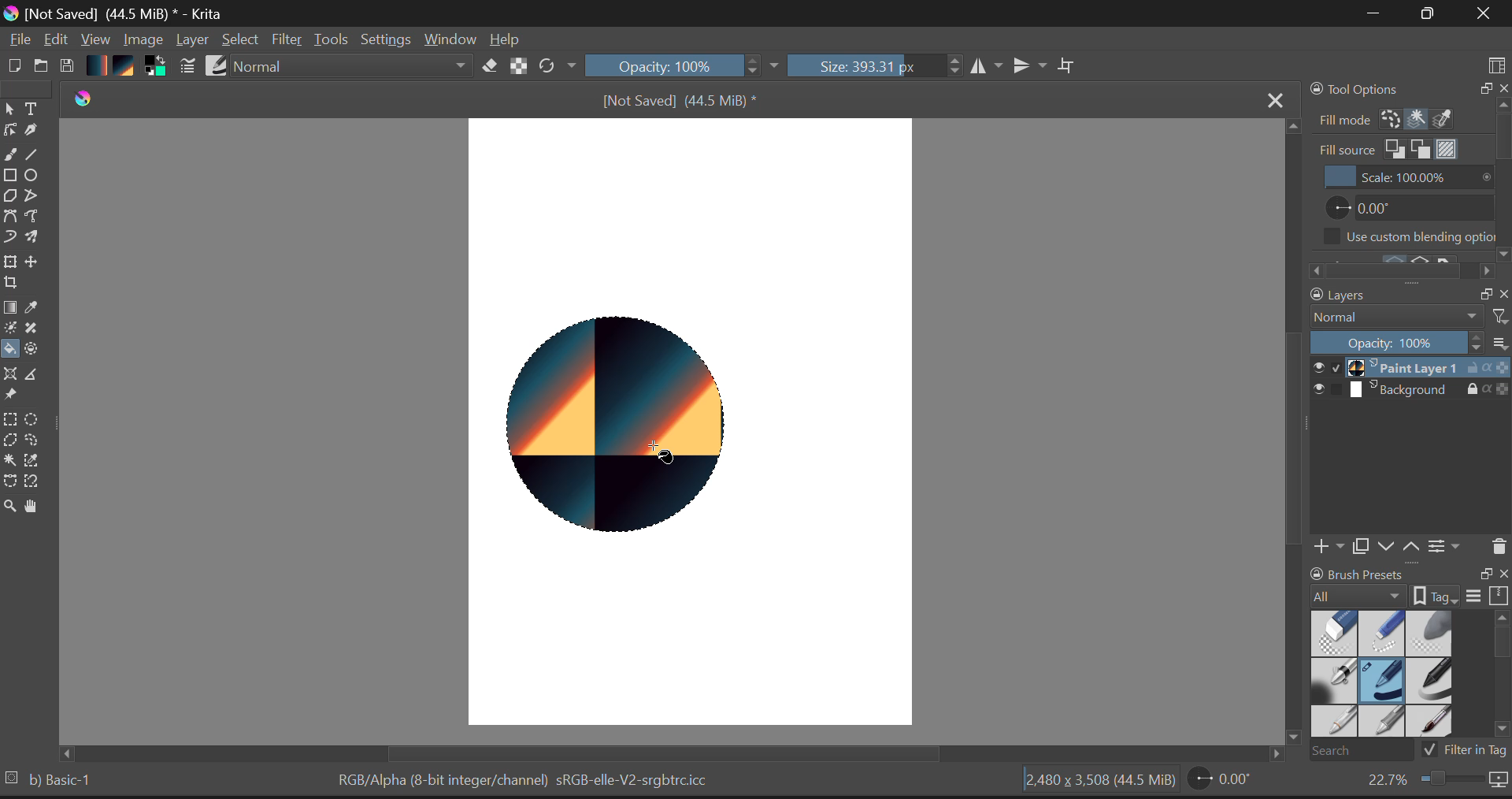 Image resolution: width=1512 pixels, height=799 pixels. I want to click on Layers Docker, so click(1403, 423).